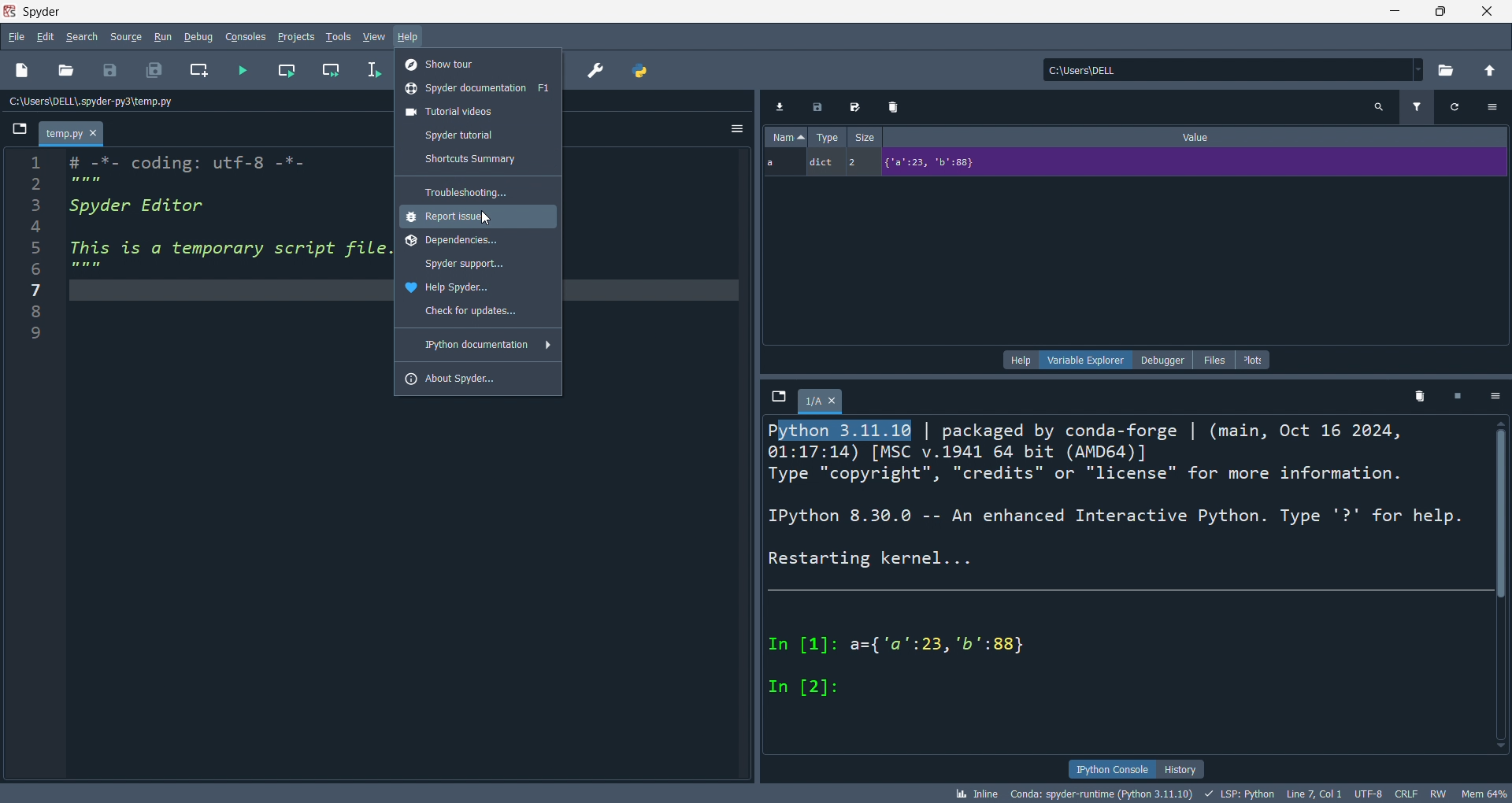 This screenshot has width=1512, height=803. Describe the element at coordinates (409, 37) in the screenshot. I see `help` at that location.